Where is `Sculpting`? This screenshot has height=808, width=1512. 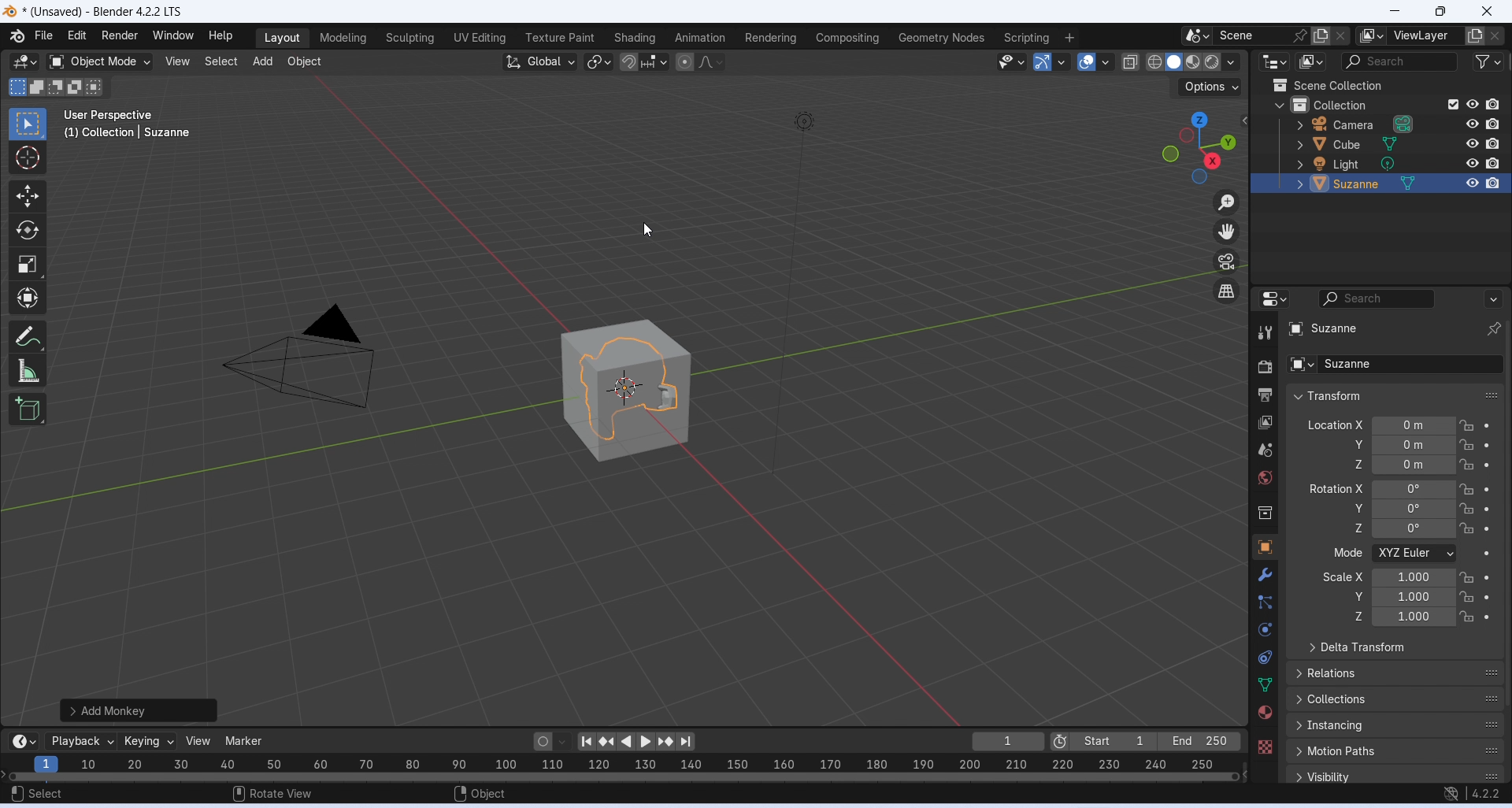
Sculpting is located at coordinates (409, 39).